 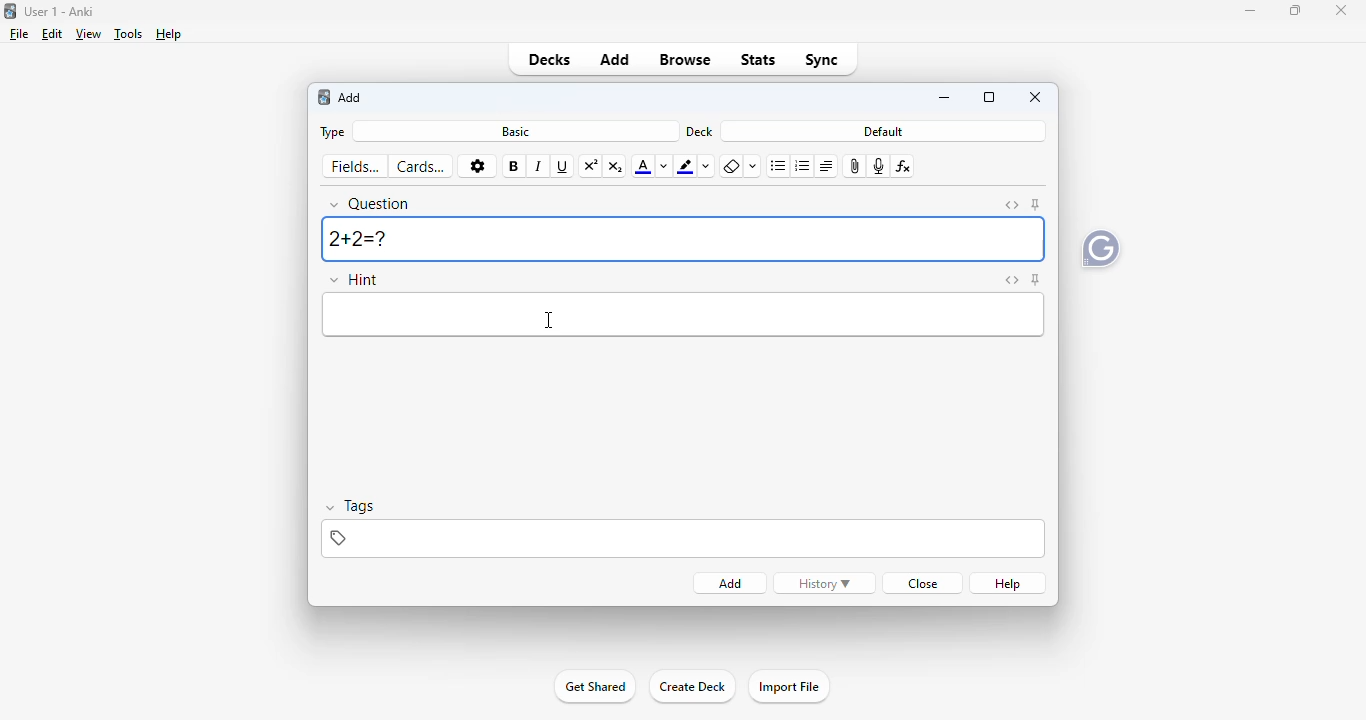 I want to click on minimize, so click(x=1250, y=11).